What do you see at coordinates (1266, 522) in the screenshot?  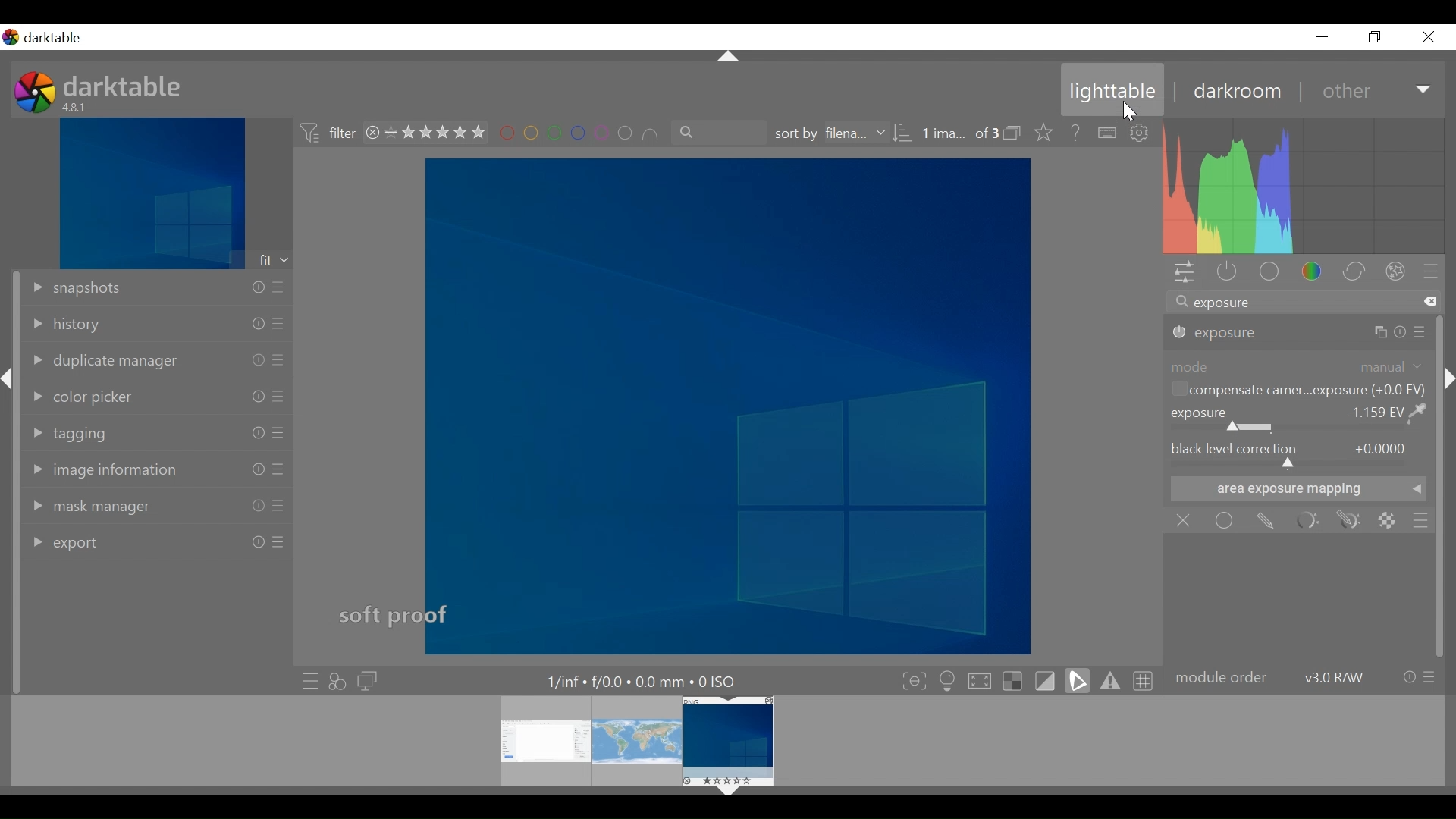 I see `drawn mask` at bounding box center [1266, 522].